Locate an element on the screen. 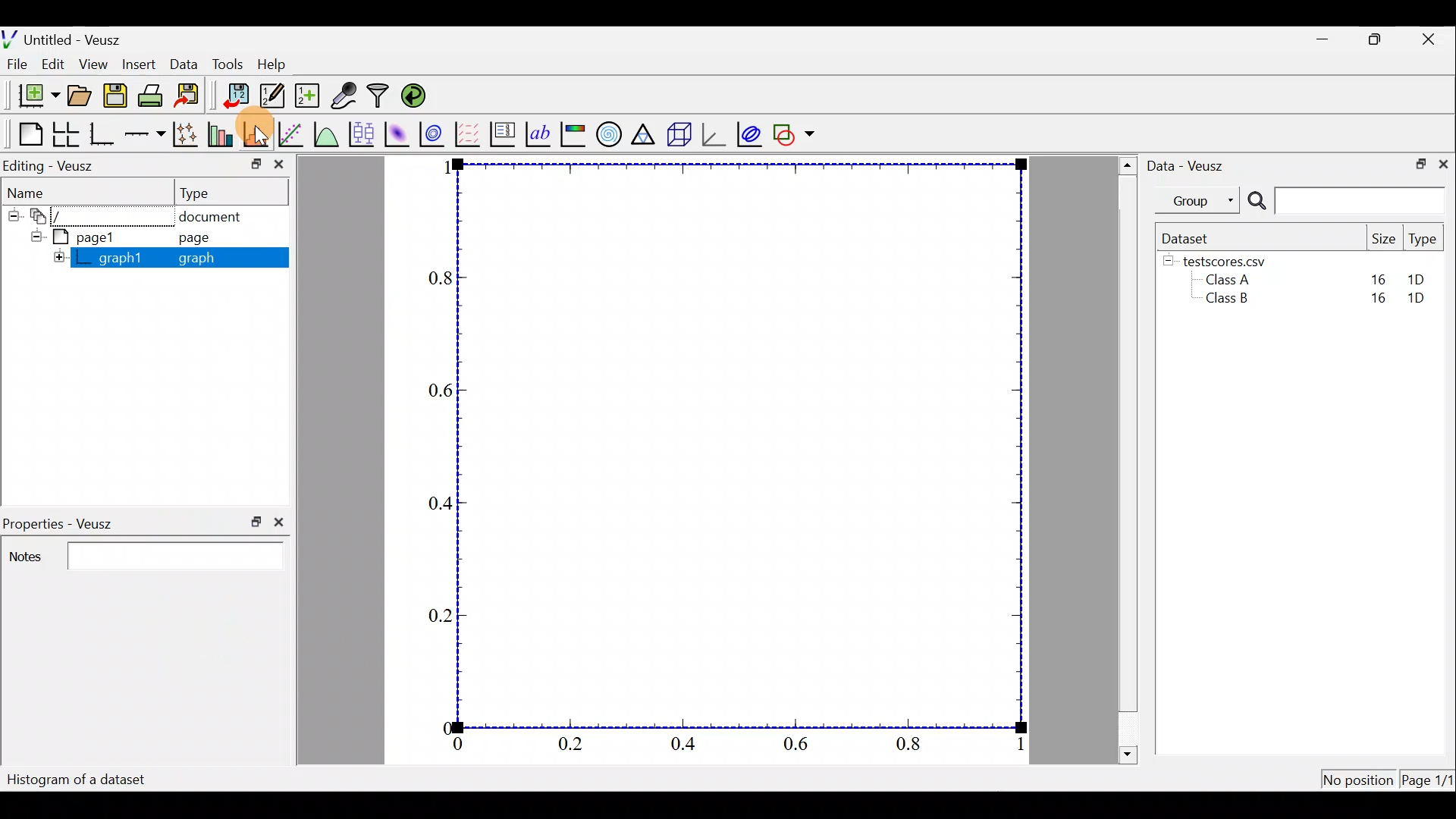  Plot key is located at coordinates (502, 134).